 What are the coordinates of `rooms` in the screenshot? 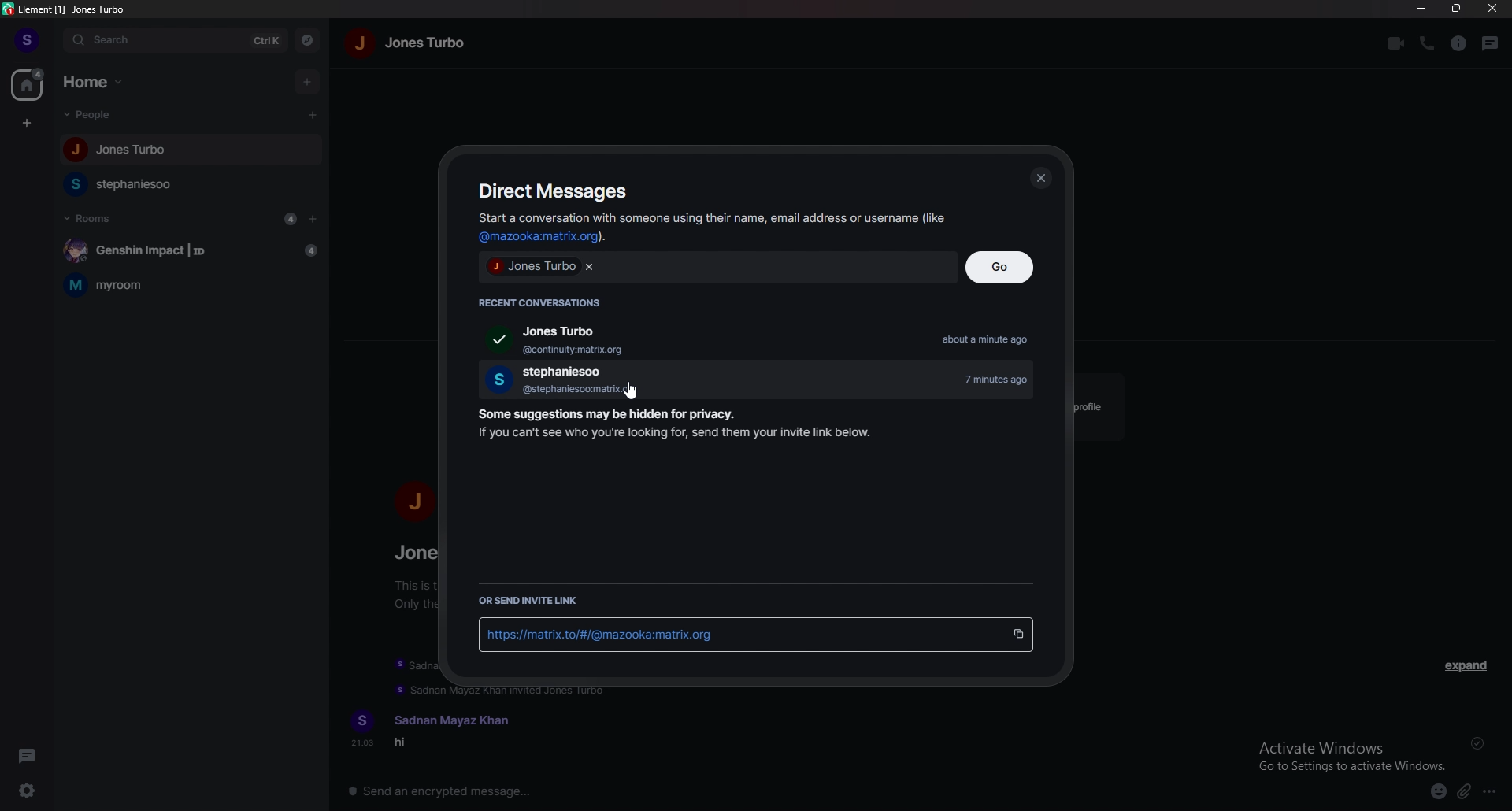 It's located at (89, 217).